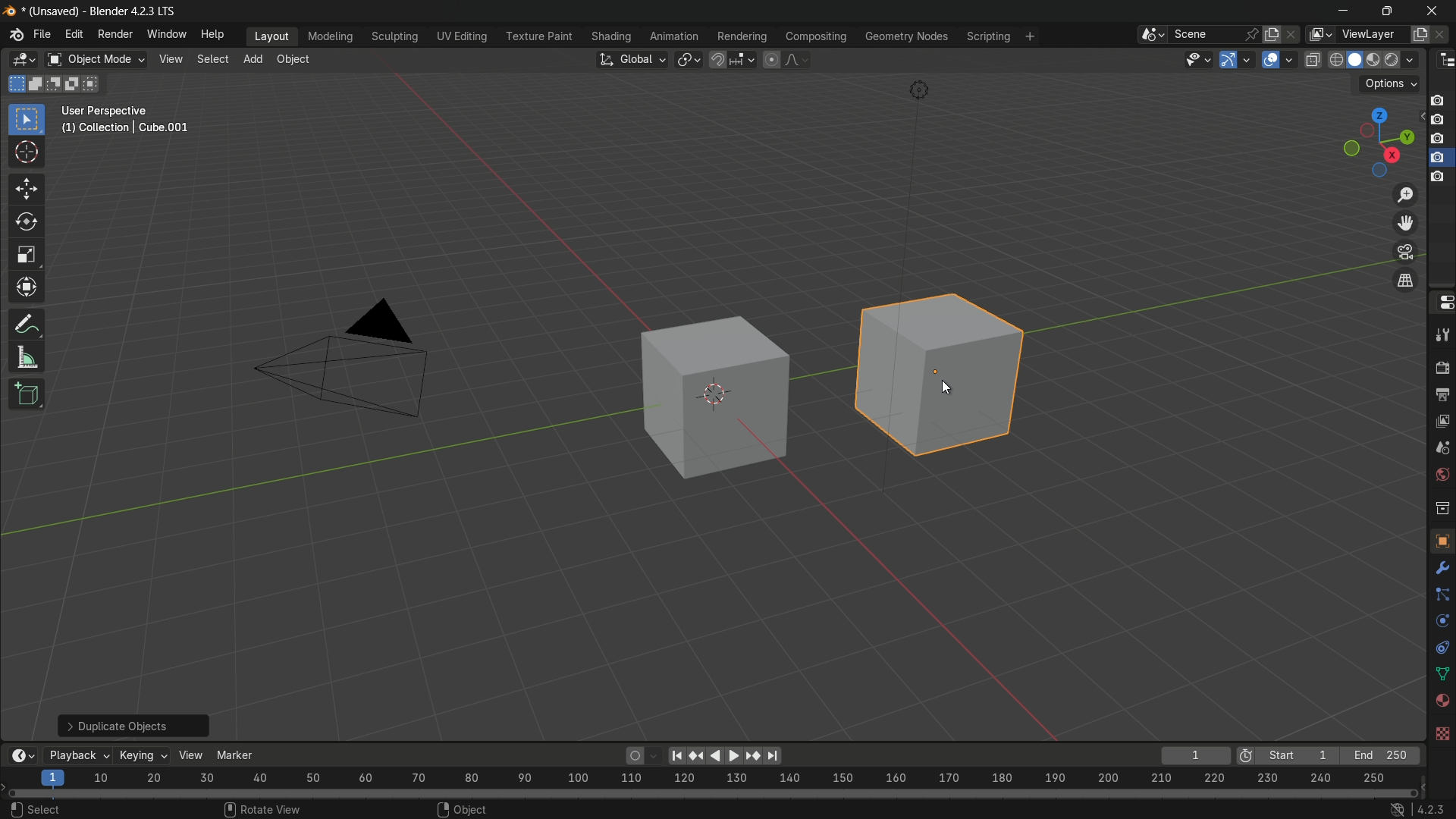 The height and width of the screenshot is (819, 1456). Describe the element at coordinates (330, 35) in the screenshot. I see `modeling menu` at that location.